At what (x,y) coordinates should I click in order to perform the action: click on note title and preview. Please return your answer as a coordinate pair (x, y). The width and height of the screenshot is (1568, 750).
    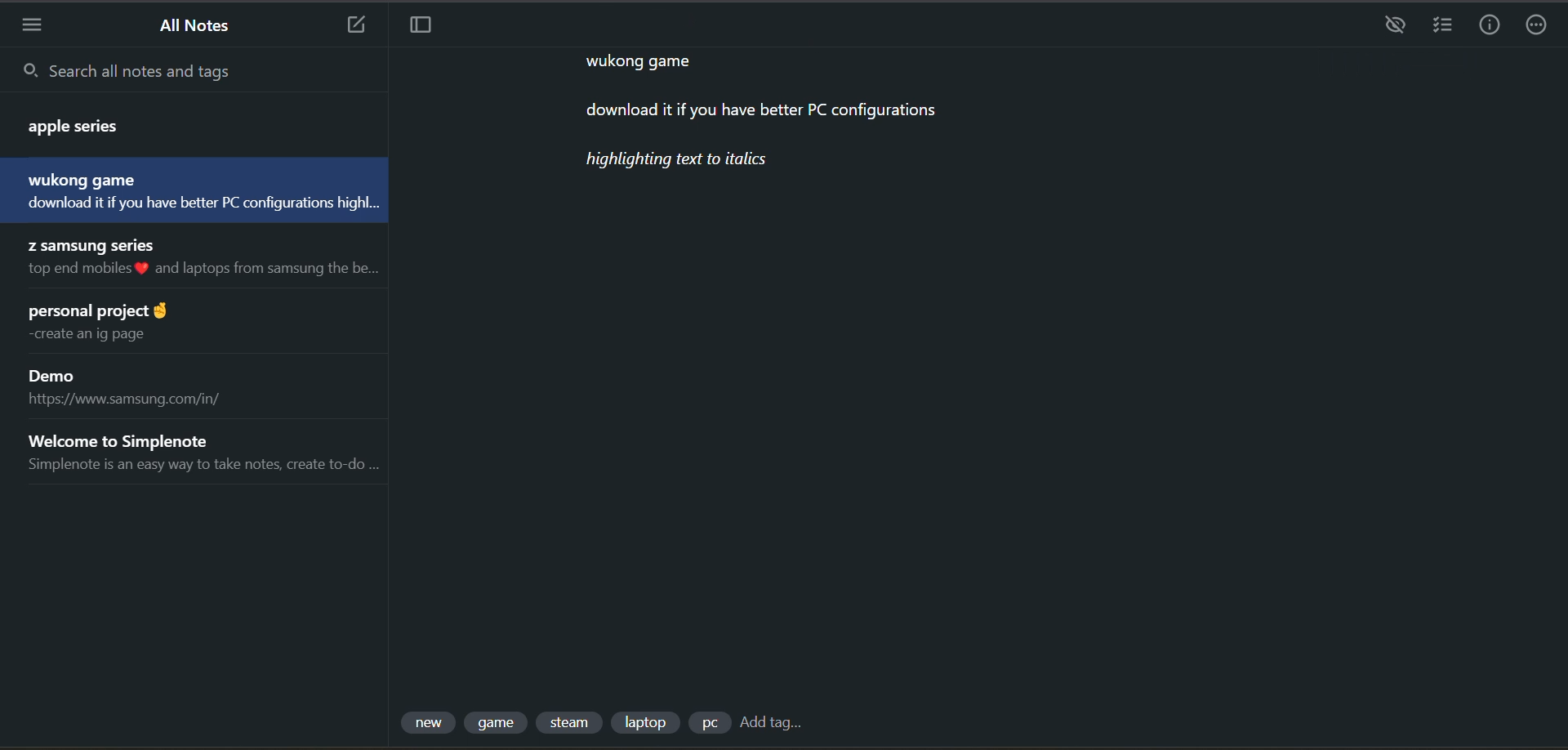
    Looking at the image, I should click on (143, 389).